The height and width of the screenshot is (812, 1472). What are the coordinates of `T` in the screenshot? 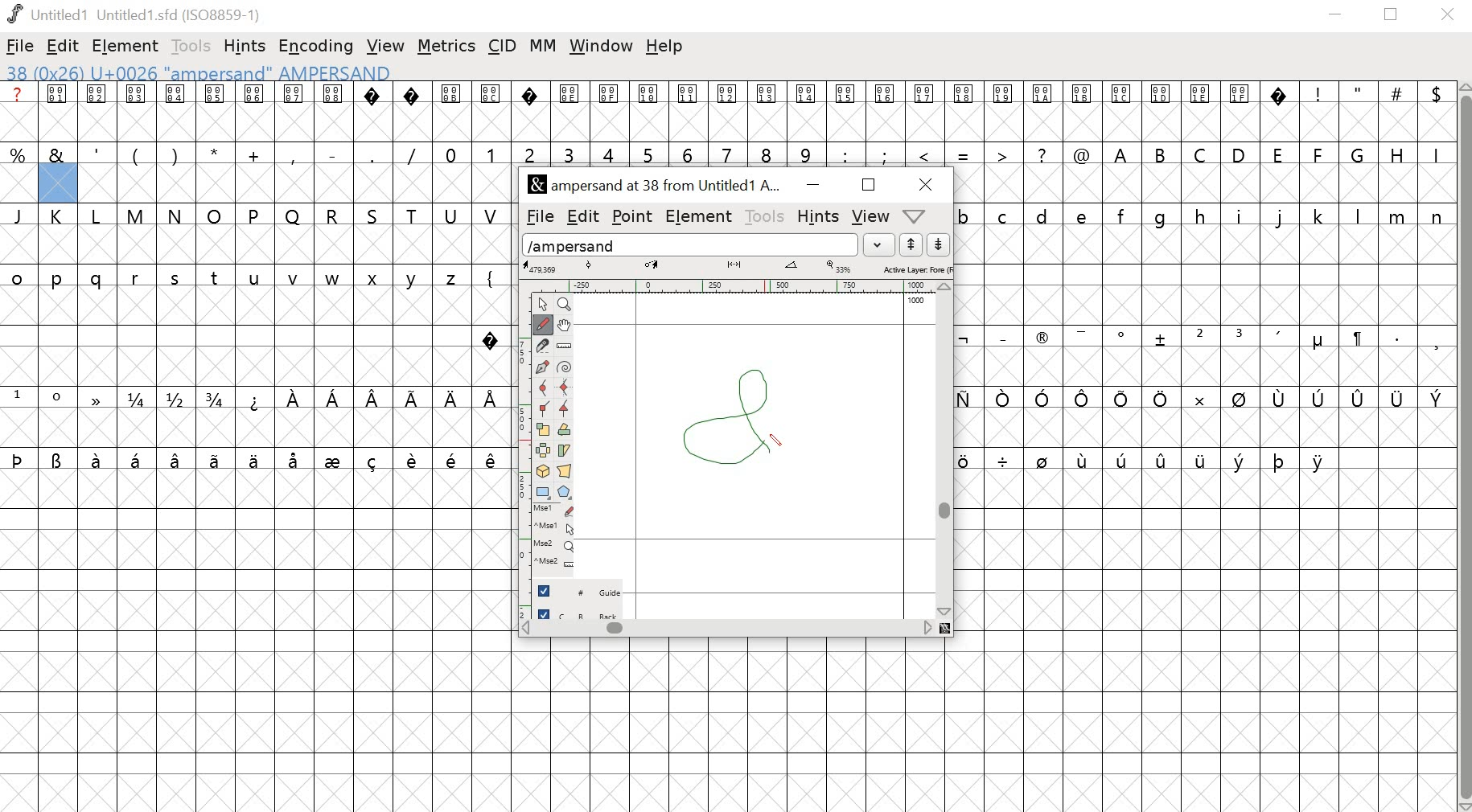 It's located at (416, 214).